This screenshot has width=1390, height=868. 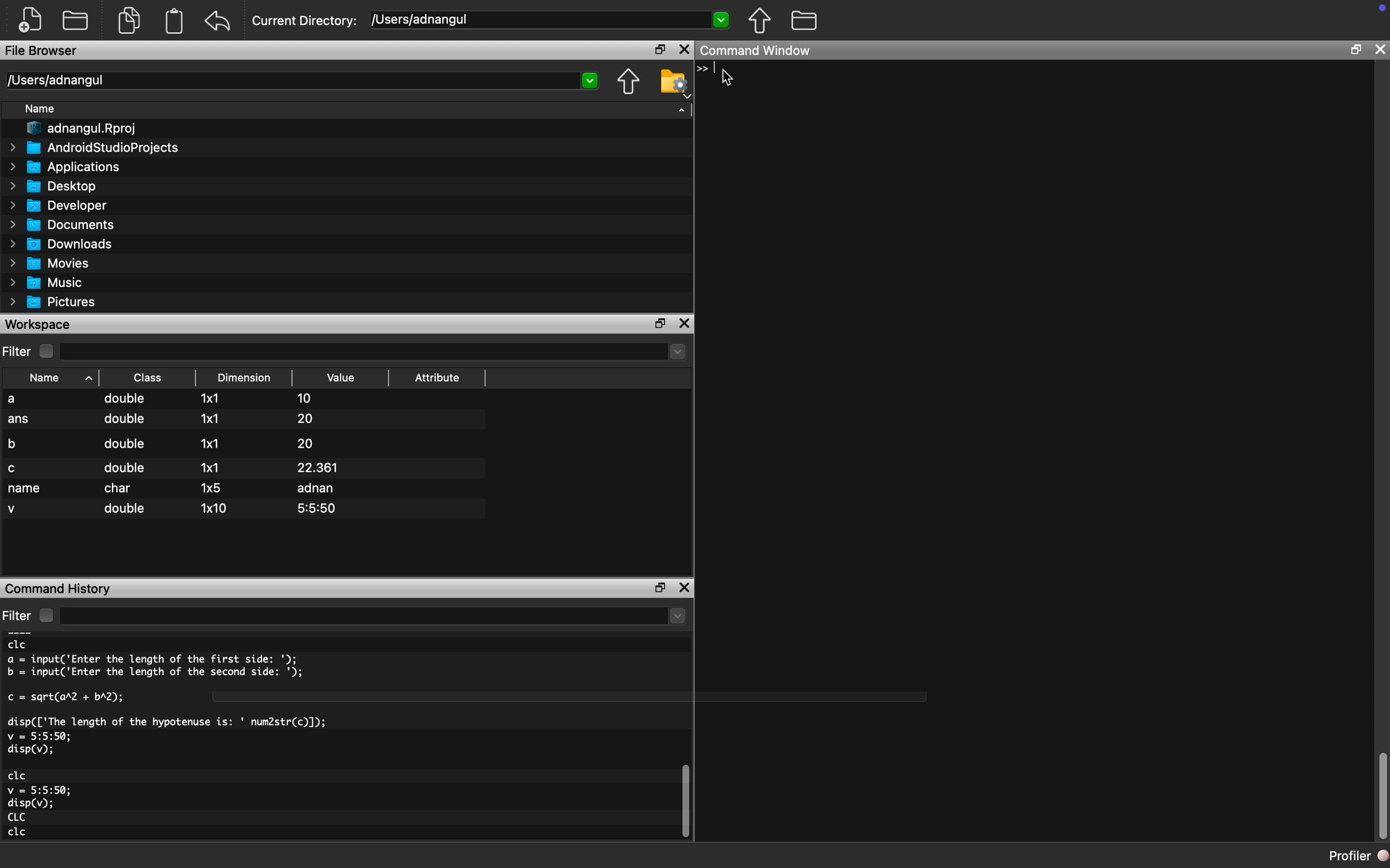 I want to click on /Users/adnangul, so click(x=532, y=19).